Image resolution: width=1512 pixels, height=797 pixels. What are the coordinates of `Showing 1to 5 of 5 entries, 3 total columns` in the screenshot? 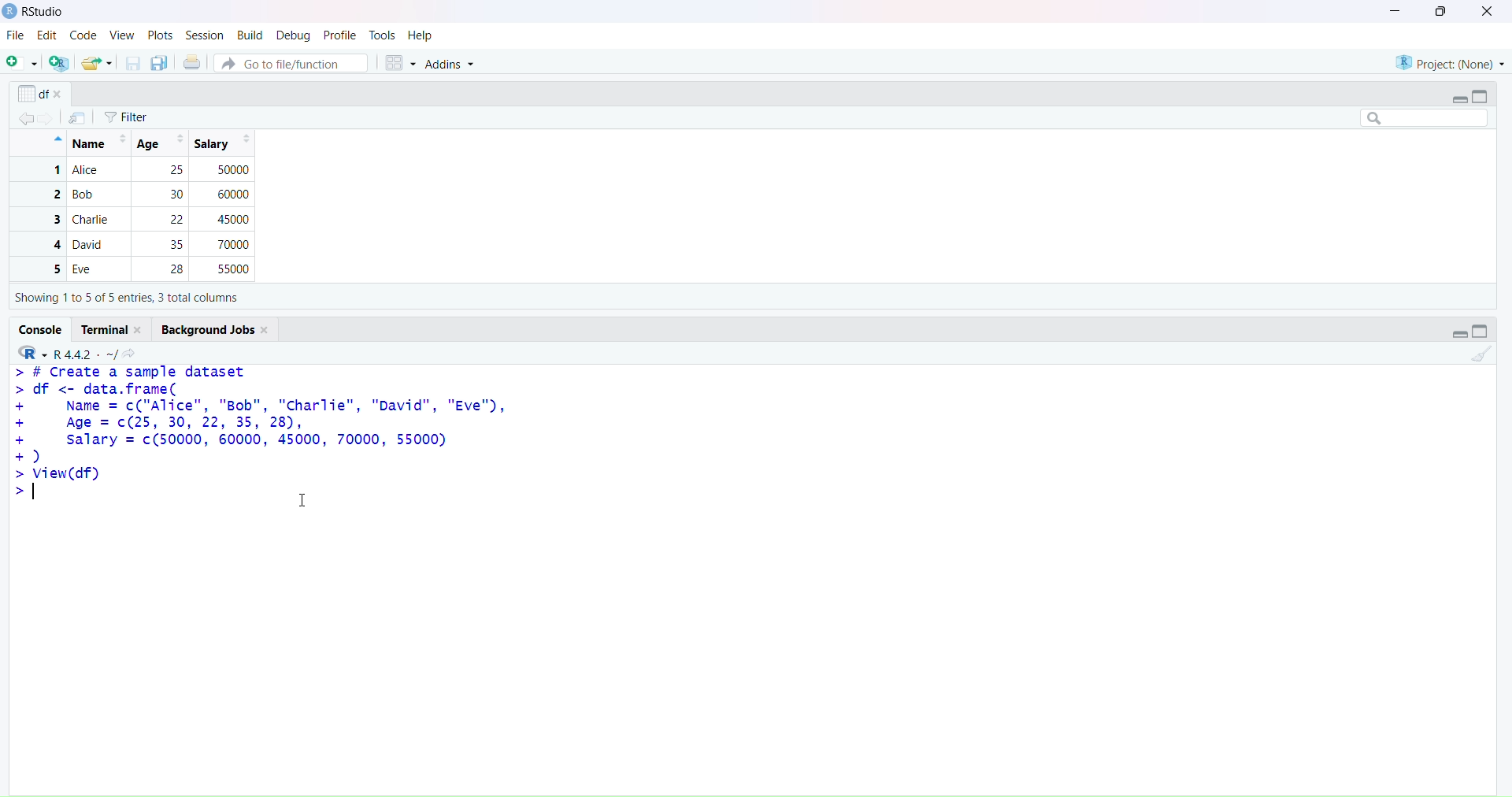 It's located at (127, 299).